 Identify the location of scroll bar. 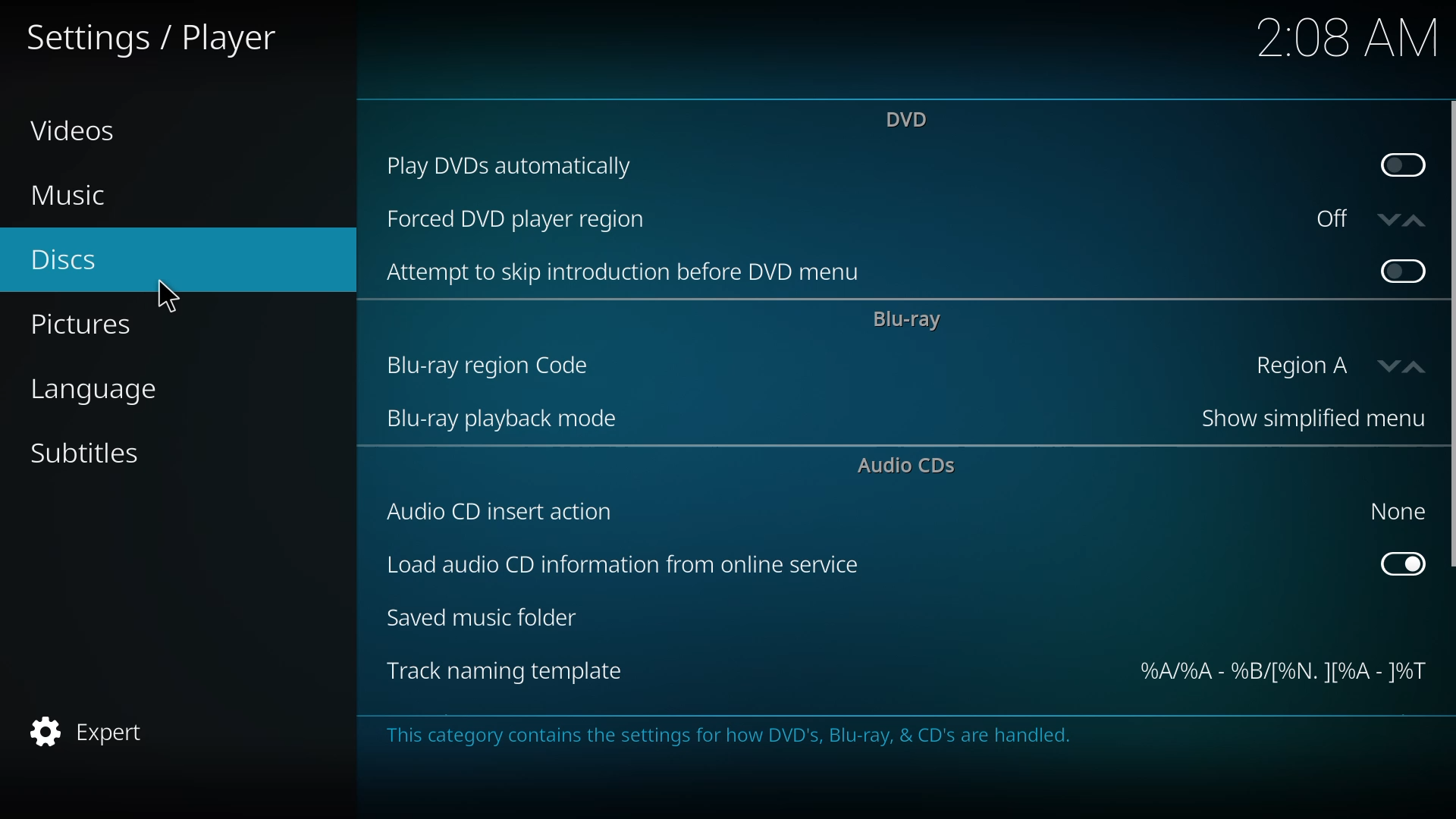
(1453, 335).